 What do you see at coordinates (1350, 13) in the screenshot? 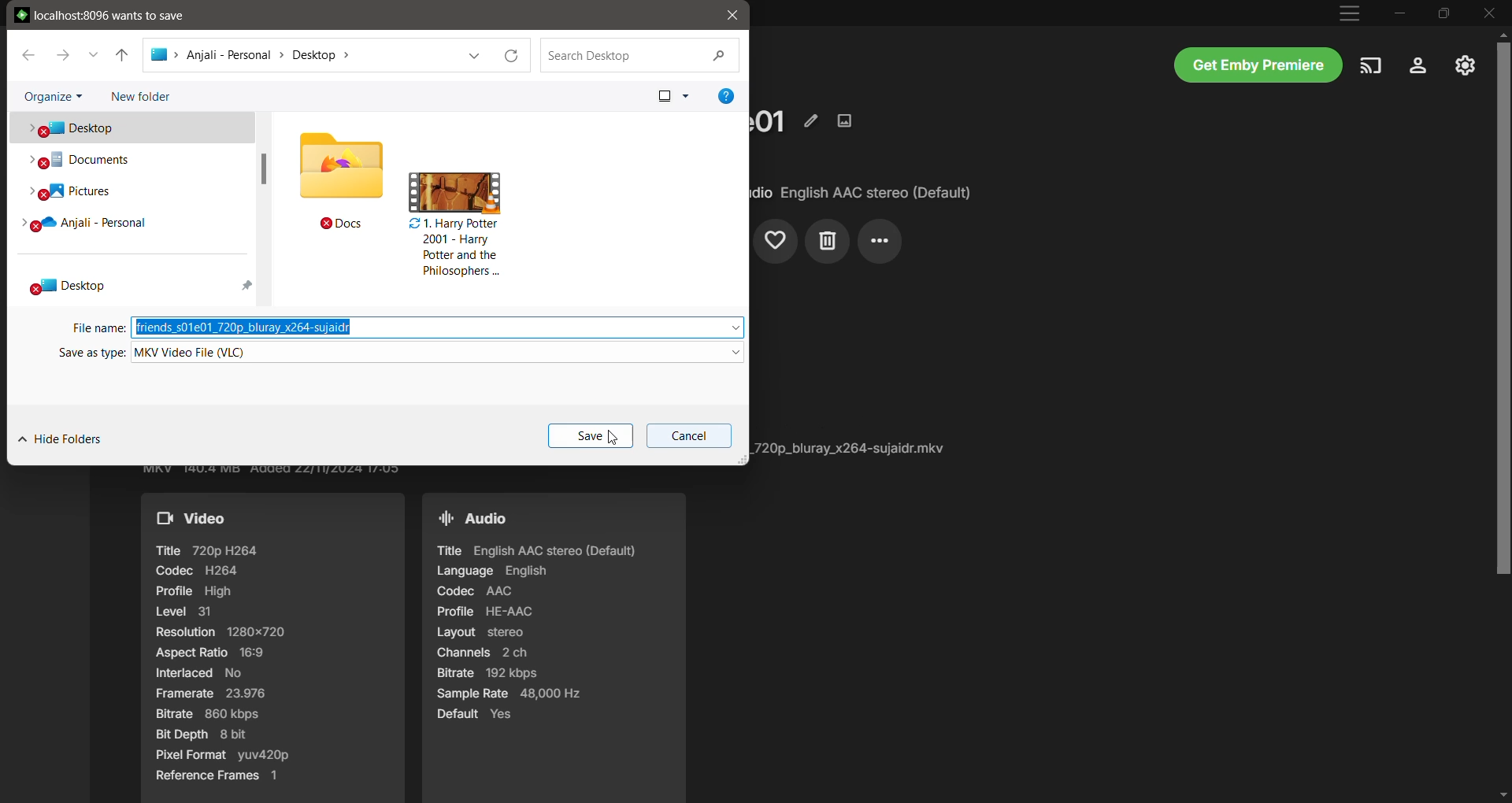
I see `` at bounding box center [1350, 13].